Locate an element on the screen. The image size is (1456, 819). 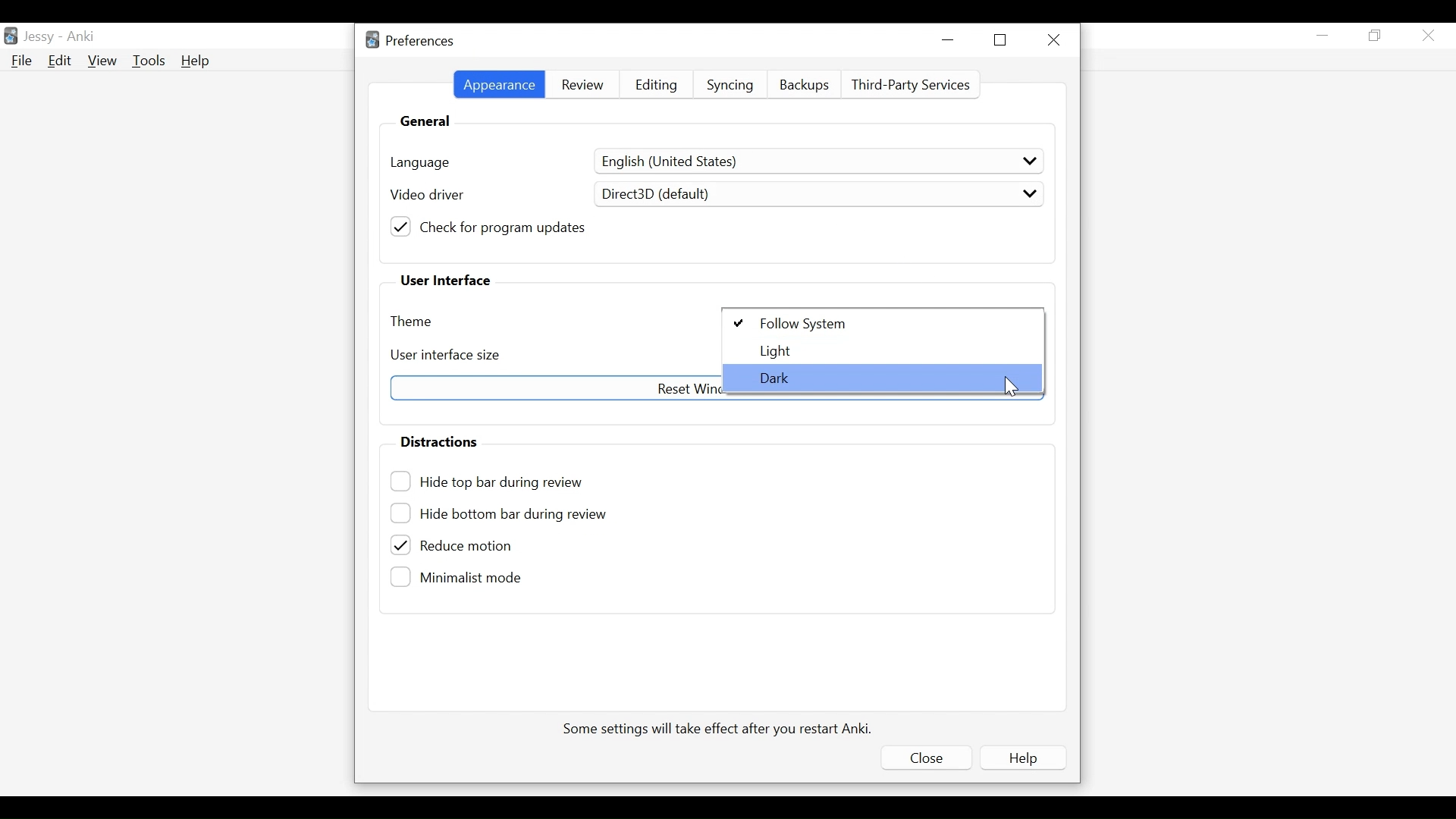
(un)select Hide top bar during review is located at coordinates (497, 482).